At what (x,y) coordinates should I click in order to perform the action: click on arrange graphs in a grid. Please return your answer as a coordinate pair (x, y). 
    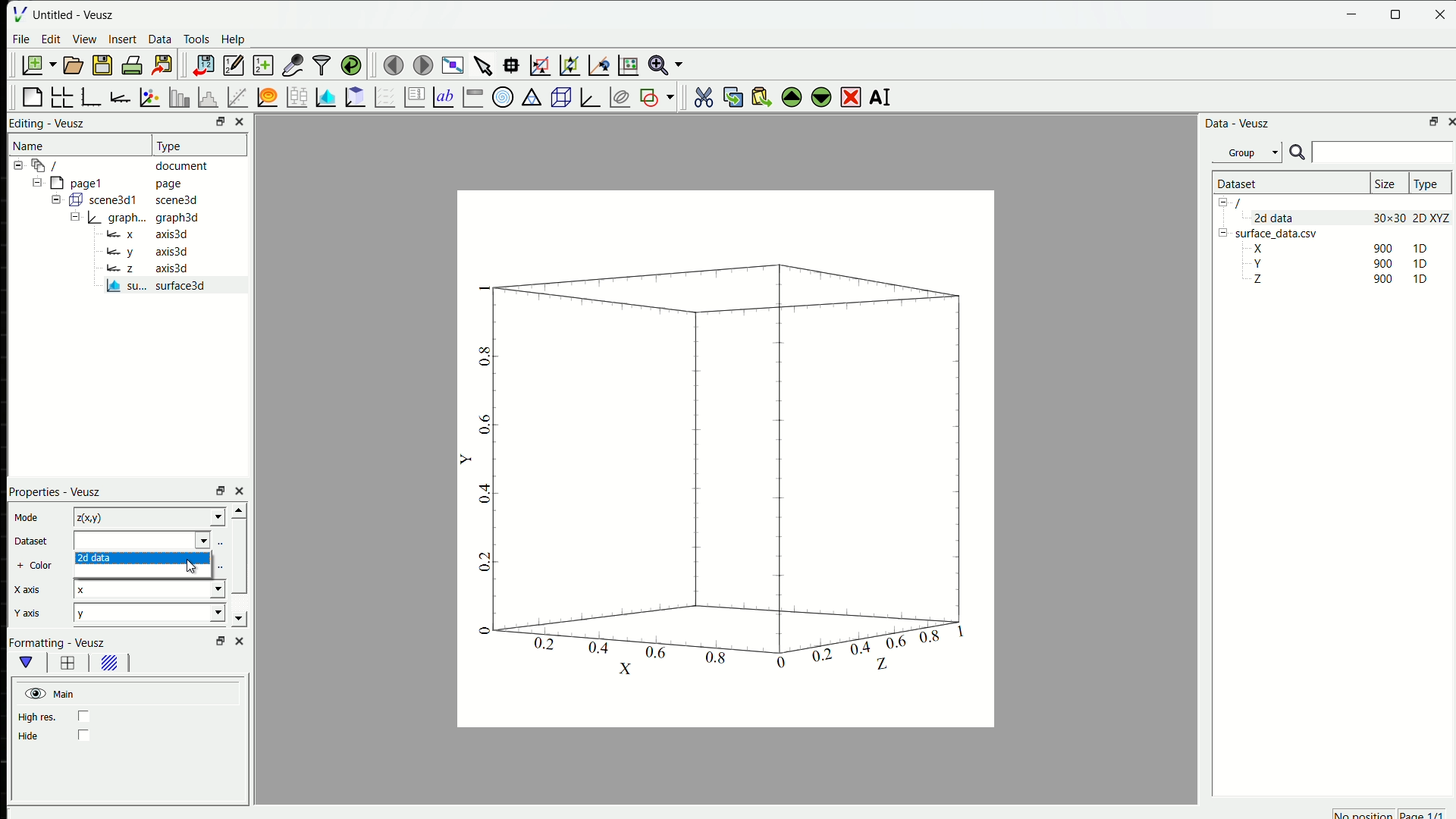
    Looking at the image, I should click on (63, 96).